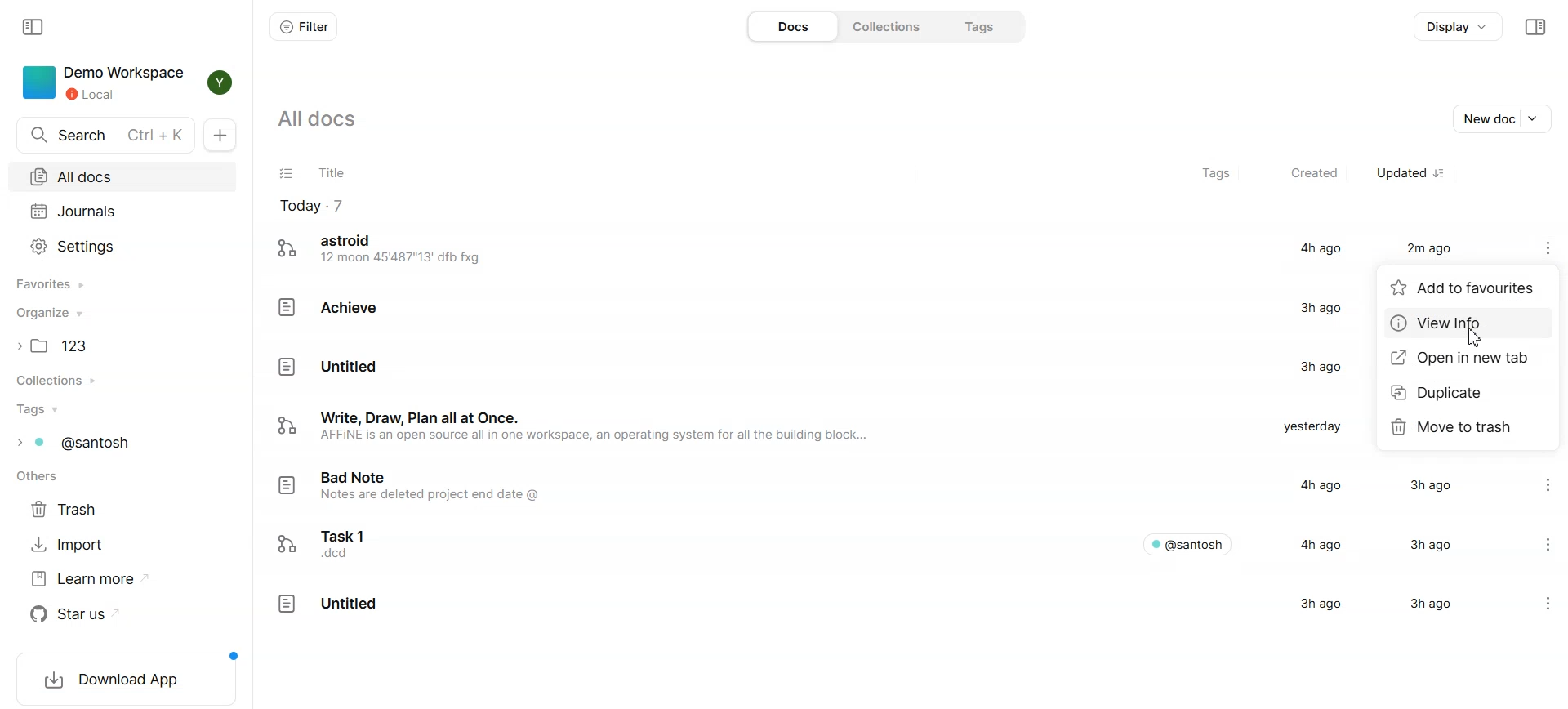 The width and height of the screenshot is (1568, 709). Describe the element at coordinates (1468, 395) in the screenshot. I see `Duplicate` at that location.